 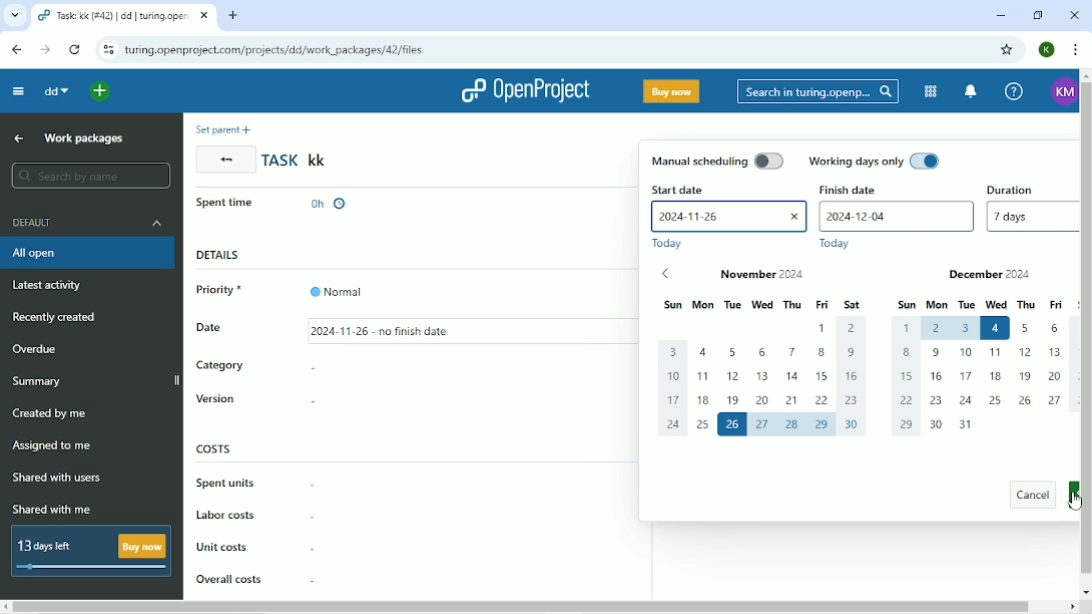 What do you see at coordinates (55, 318) in the screenshot?
I see `Recently added` at bounding box center [55, 318].